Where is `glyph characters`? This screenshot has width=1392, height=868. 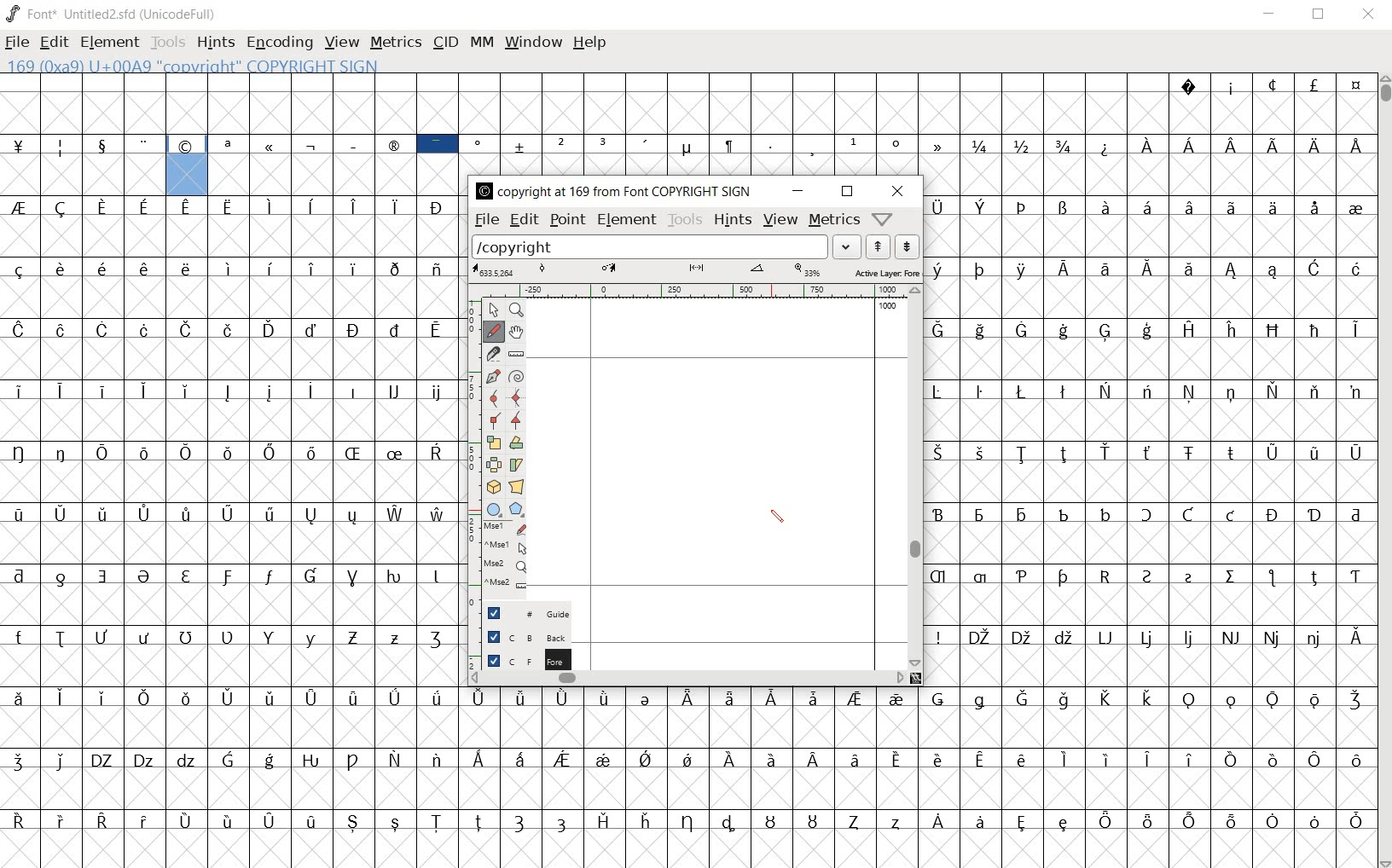
glyph characters is located at coordinates (960, 123).